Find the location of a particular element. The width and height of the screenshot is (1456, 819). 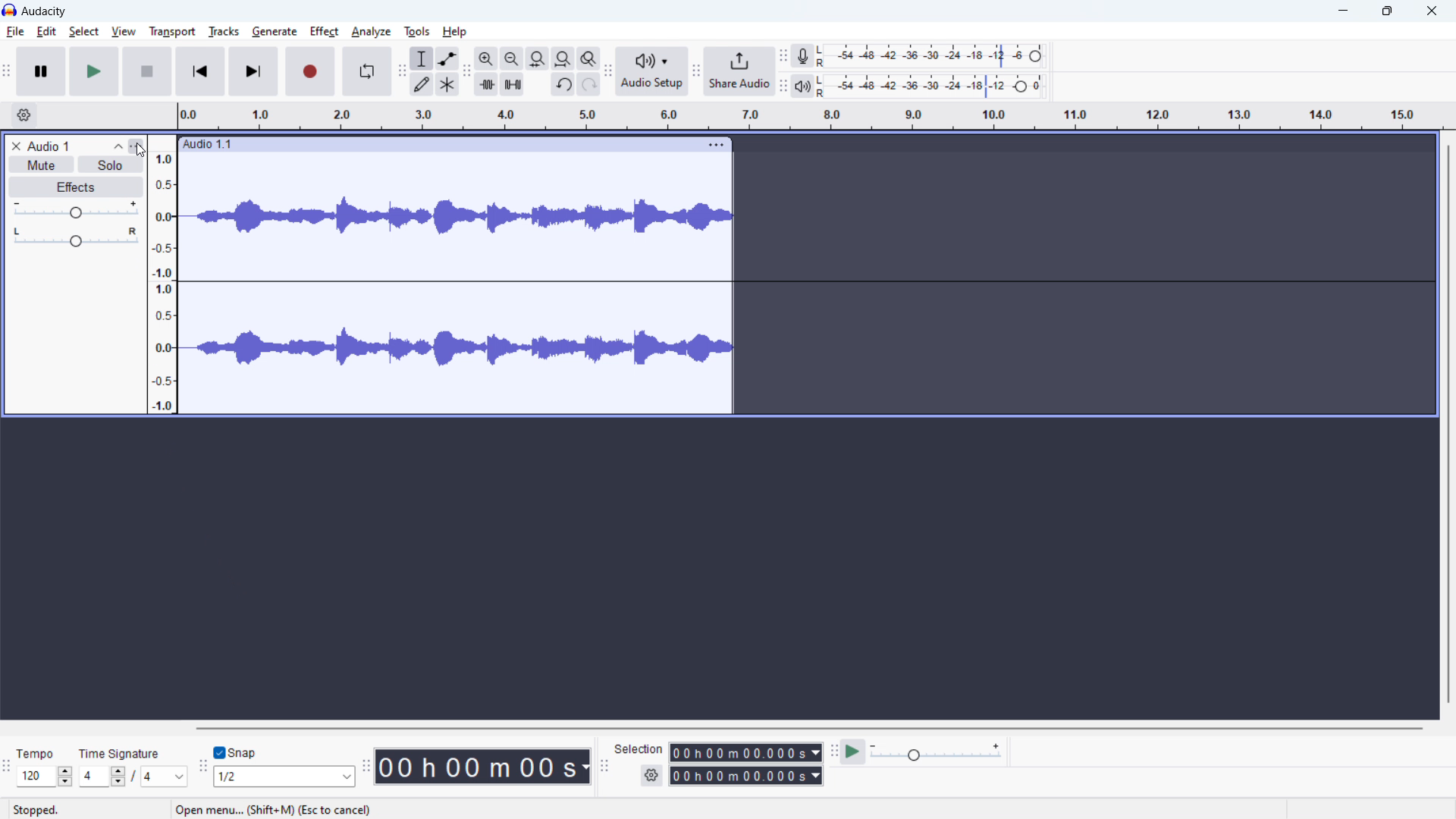

stopped is located at coordinates (42, 752).